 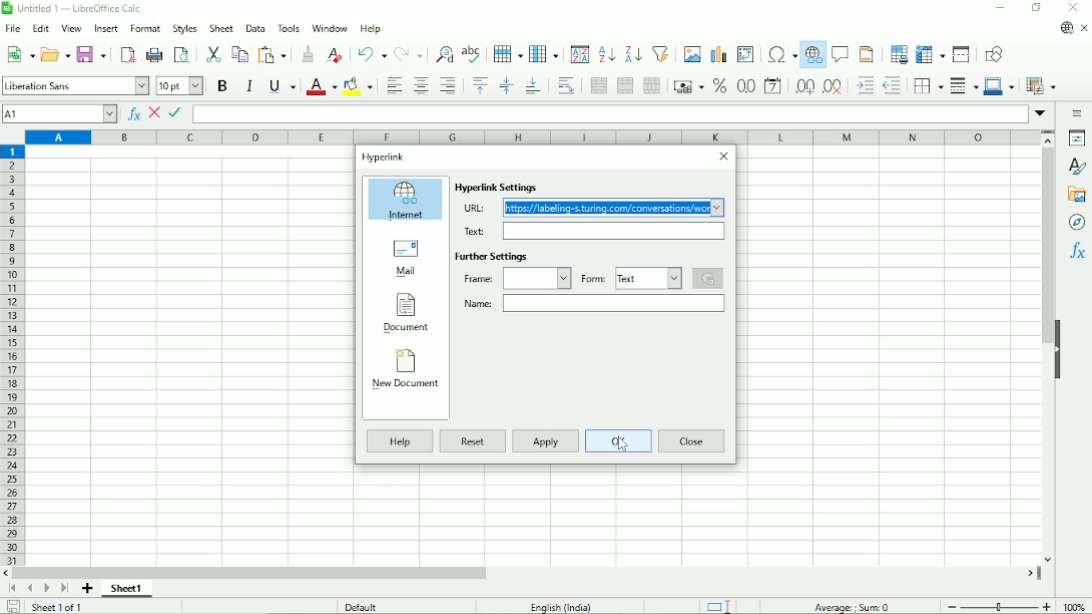 What do you see at coordinates (249, 572) in the screenshot?
I see `Horizontal scrollbar` at bounding box center [249, 572].